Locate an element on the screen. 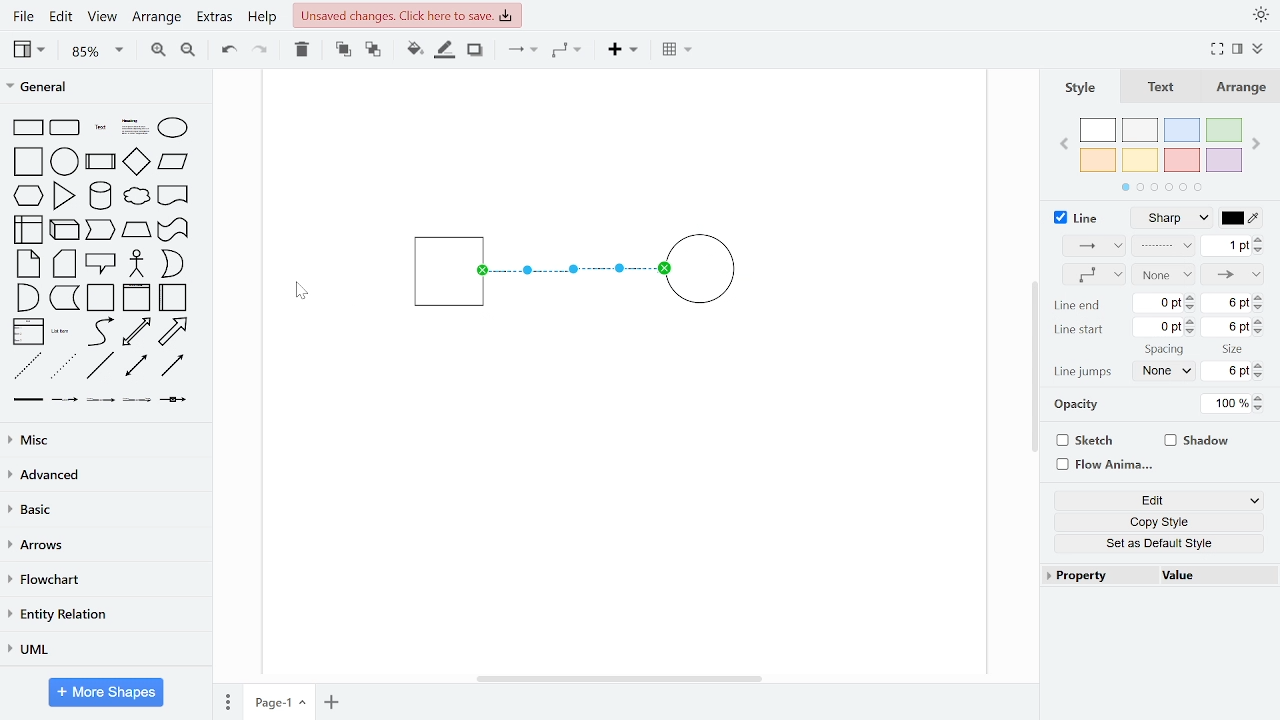  curve is located at coordinates (101, 331).